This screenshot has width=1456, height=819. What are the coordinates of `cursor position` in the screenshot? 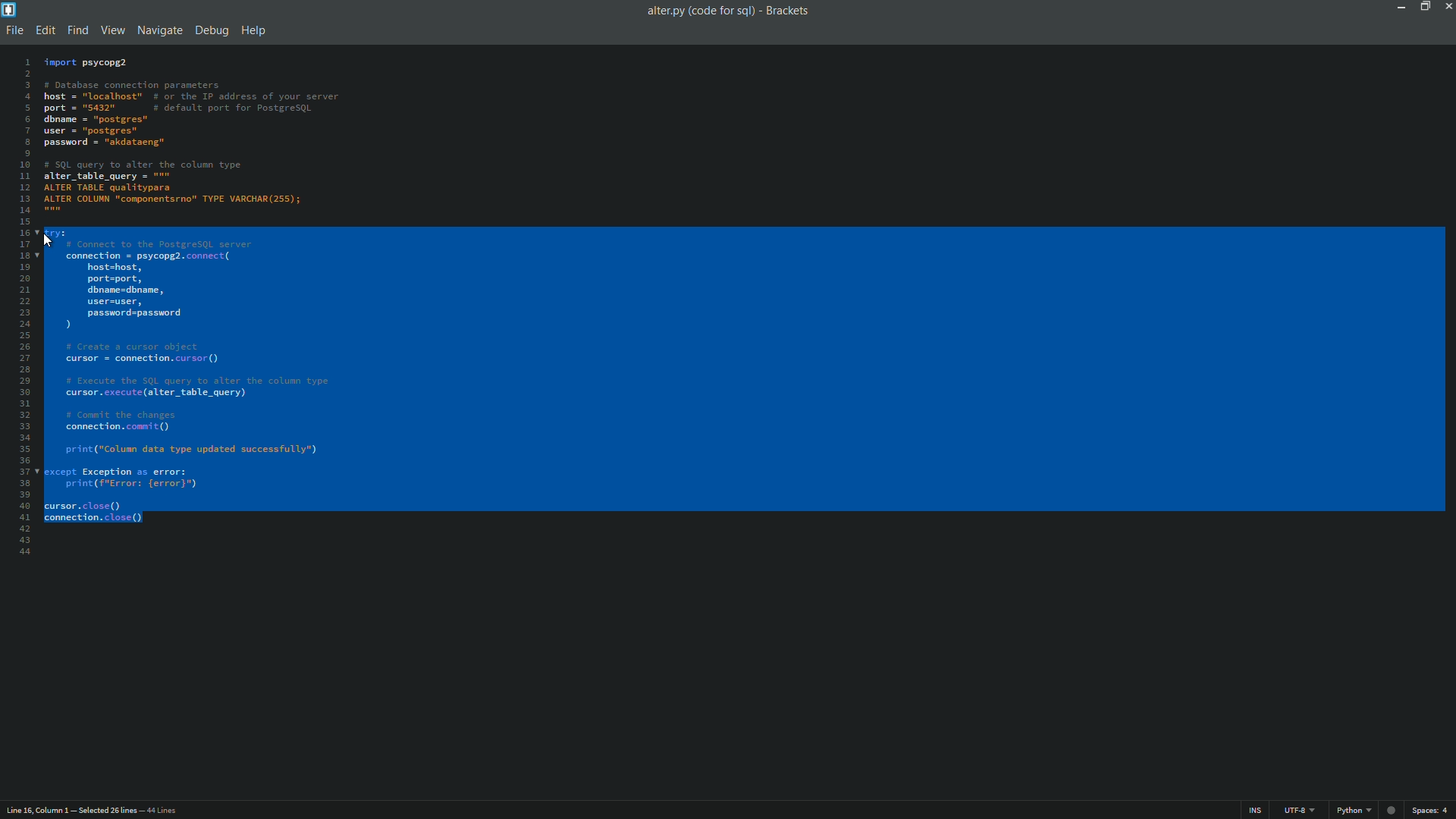 It's located at (39, 809).